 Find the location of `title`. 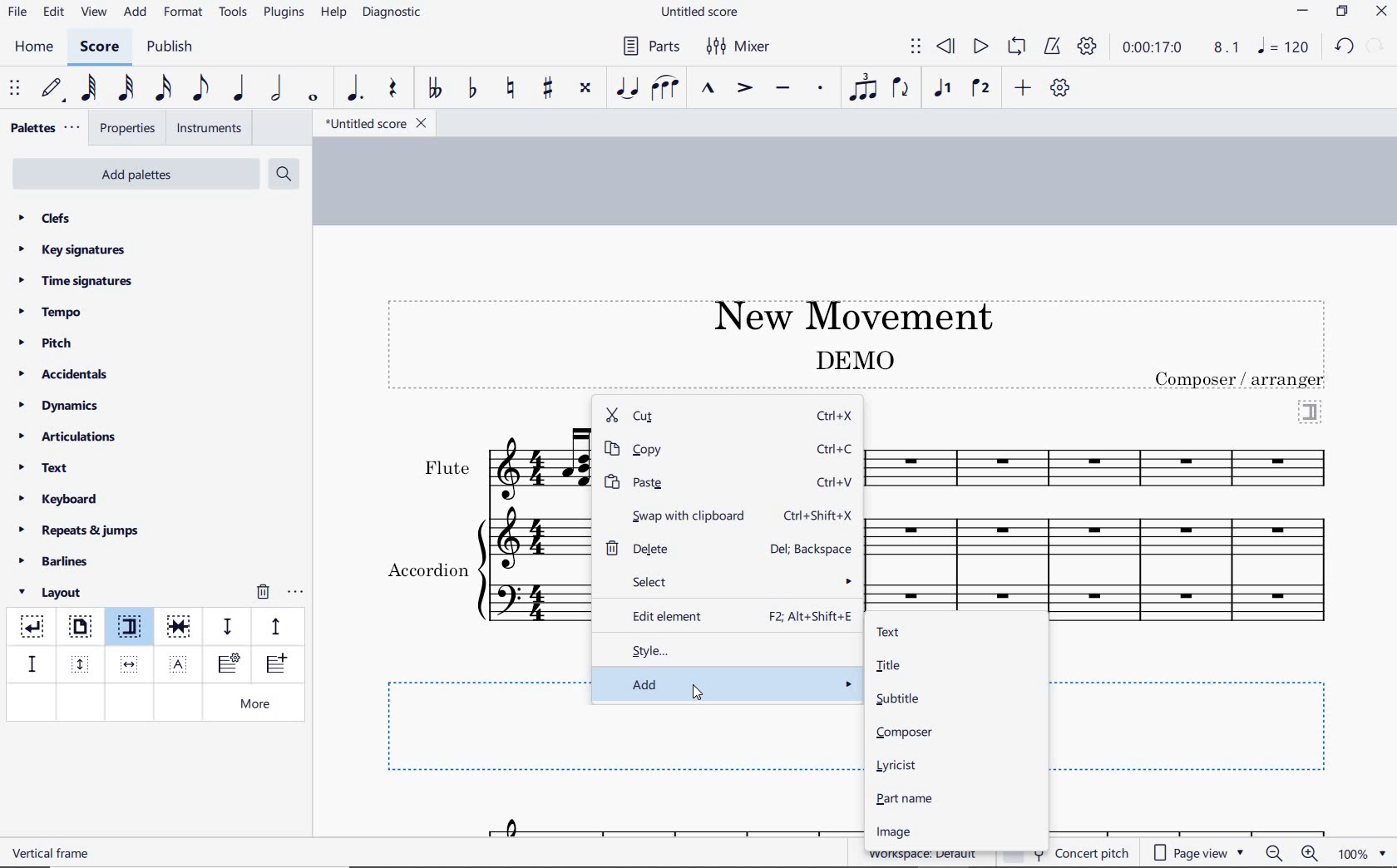

title is located at coordinates (845, 313).